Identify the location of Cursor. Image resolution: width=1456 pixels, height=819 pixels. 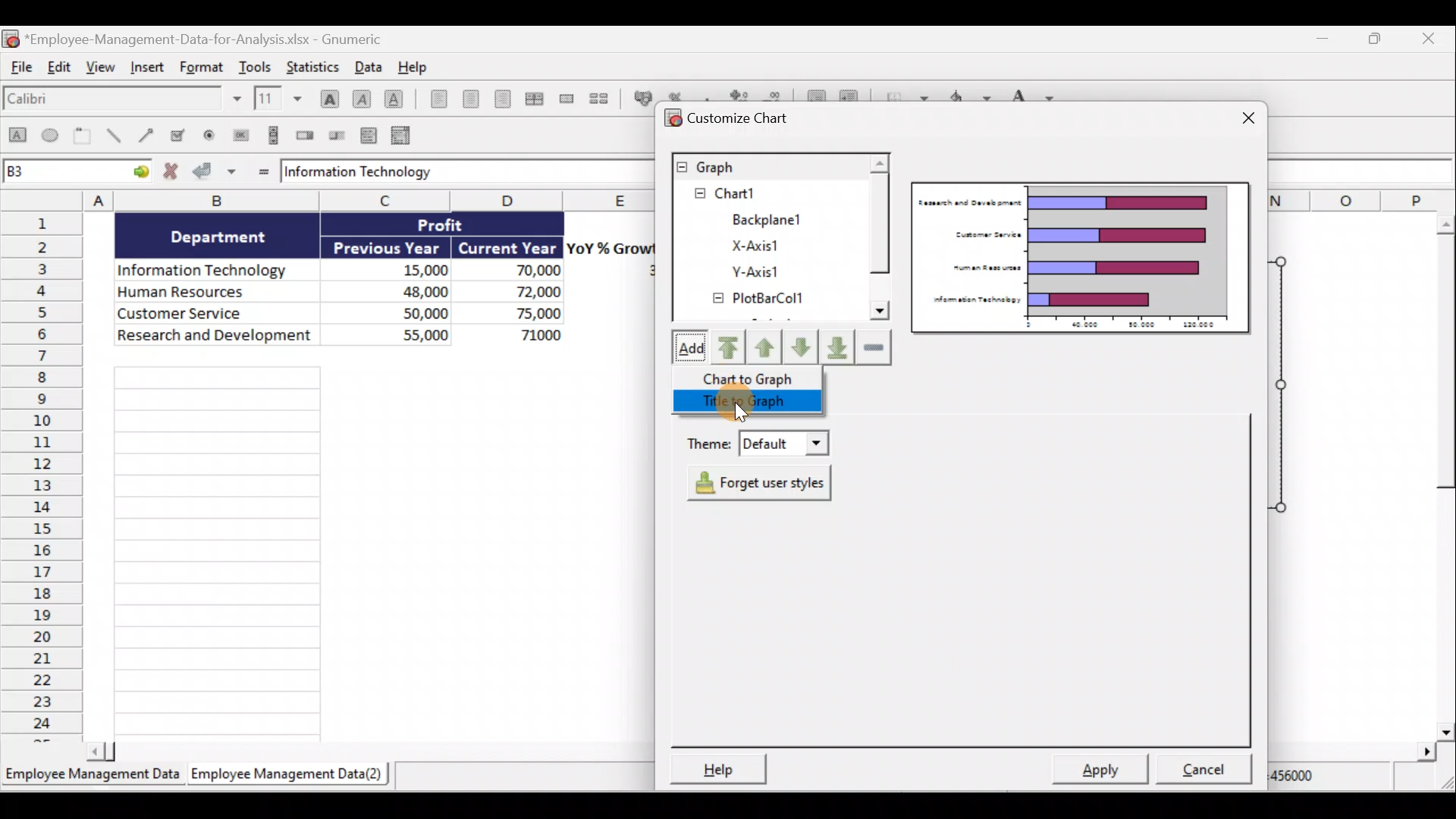
(734, 408).